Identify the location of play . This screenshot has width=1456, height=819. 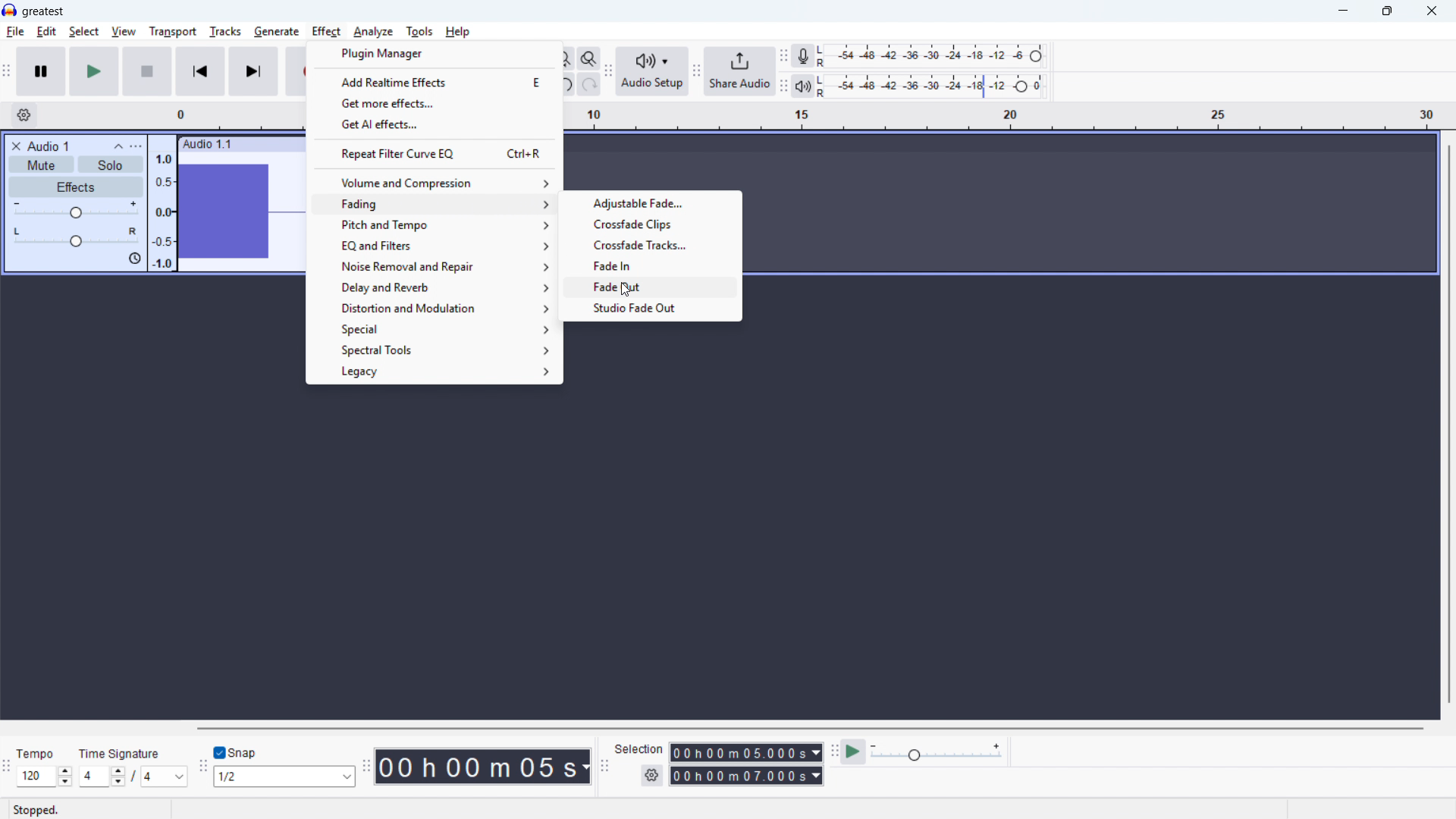
(94, 71).